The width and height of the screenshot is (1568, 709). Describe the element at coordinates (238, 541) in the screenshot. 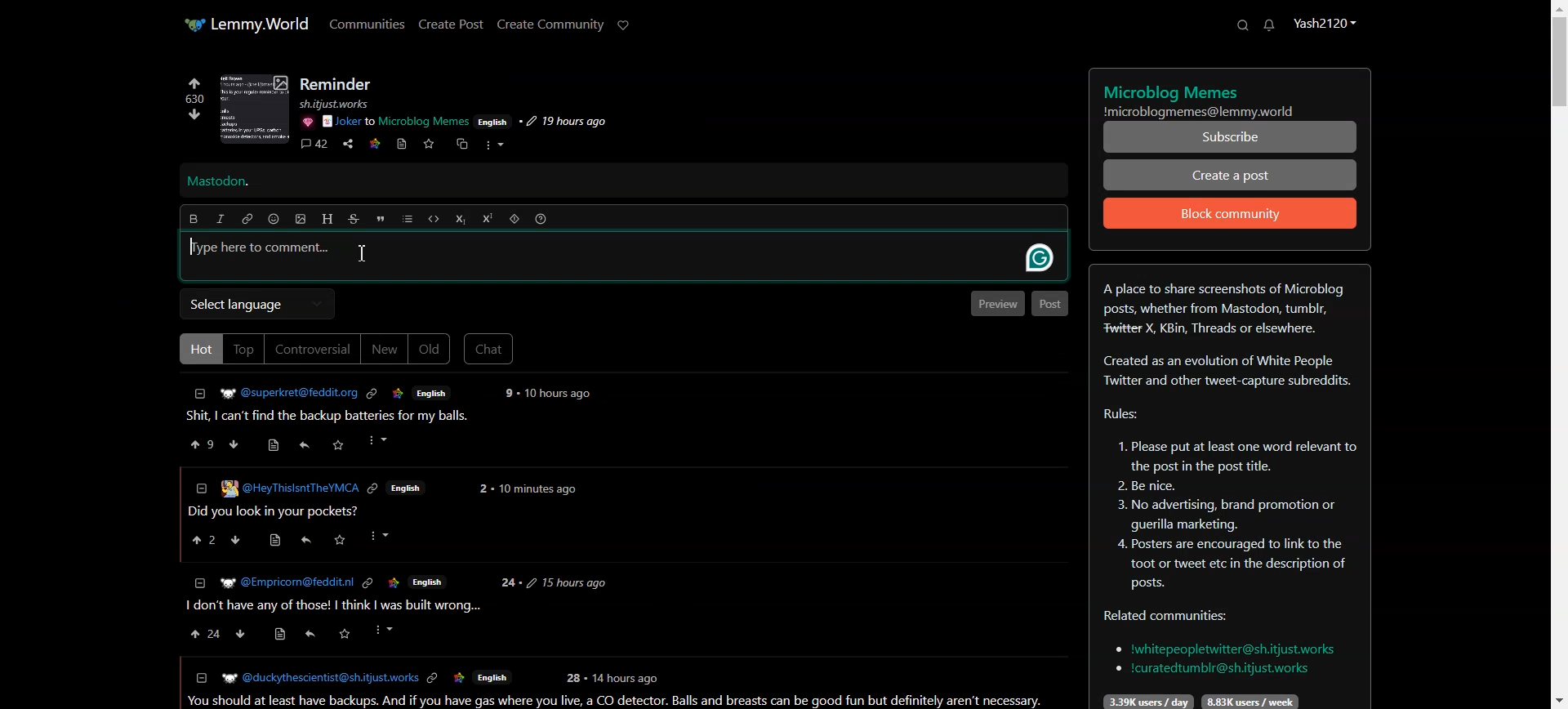

I see `` at that location.